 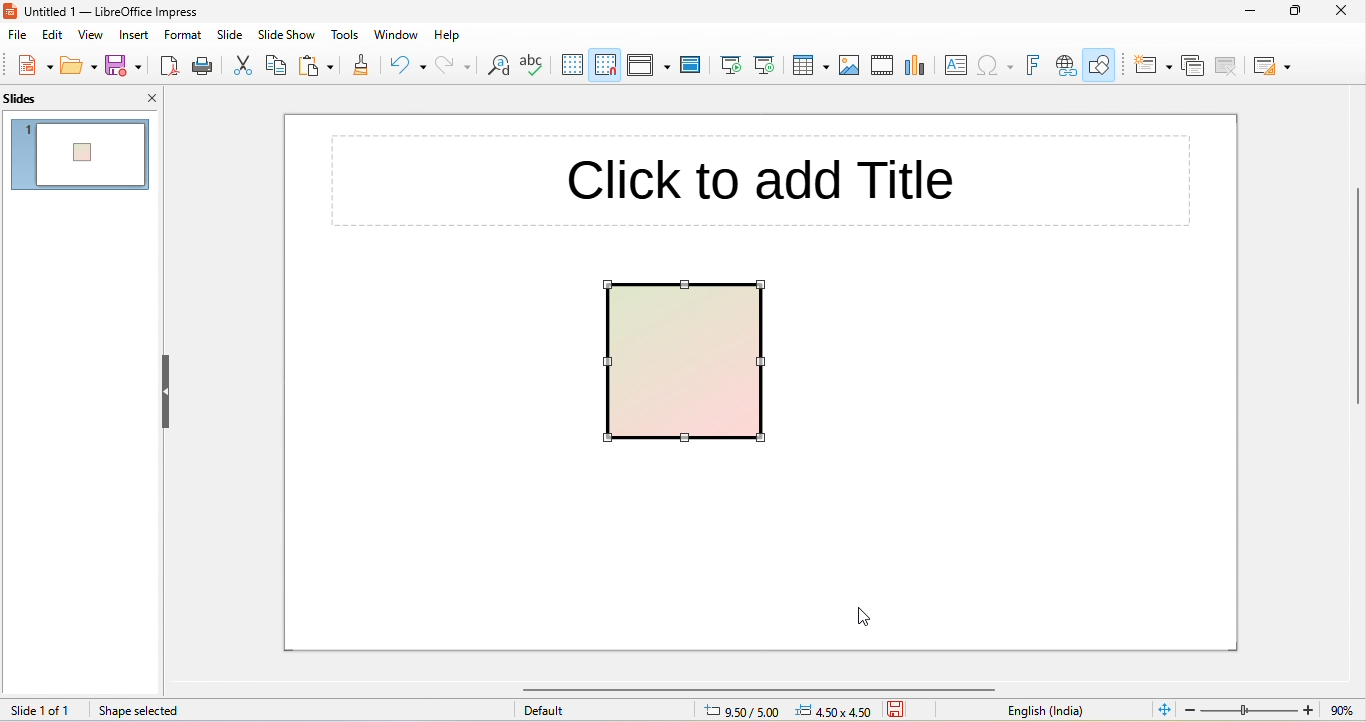 What do you see at coordinates (133, 35) in the screenshot?
I see `insert` at bounding box center [133, 35].